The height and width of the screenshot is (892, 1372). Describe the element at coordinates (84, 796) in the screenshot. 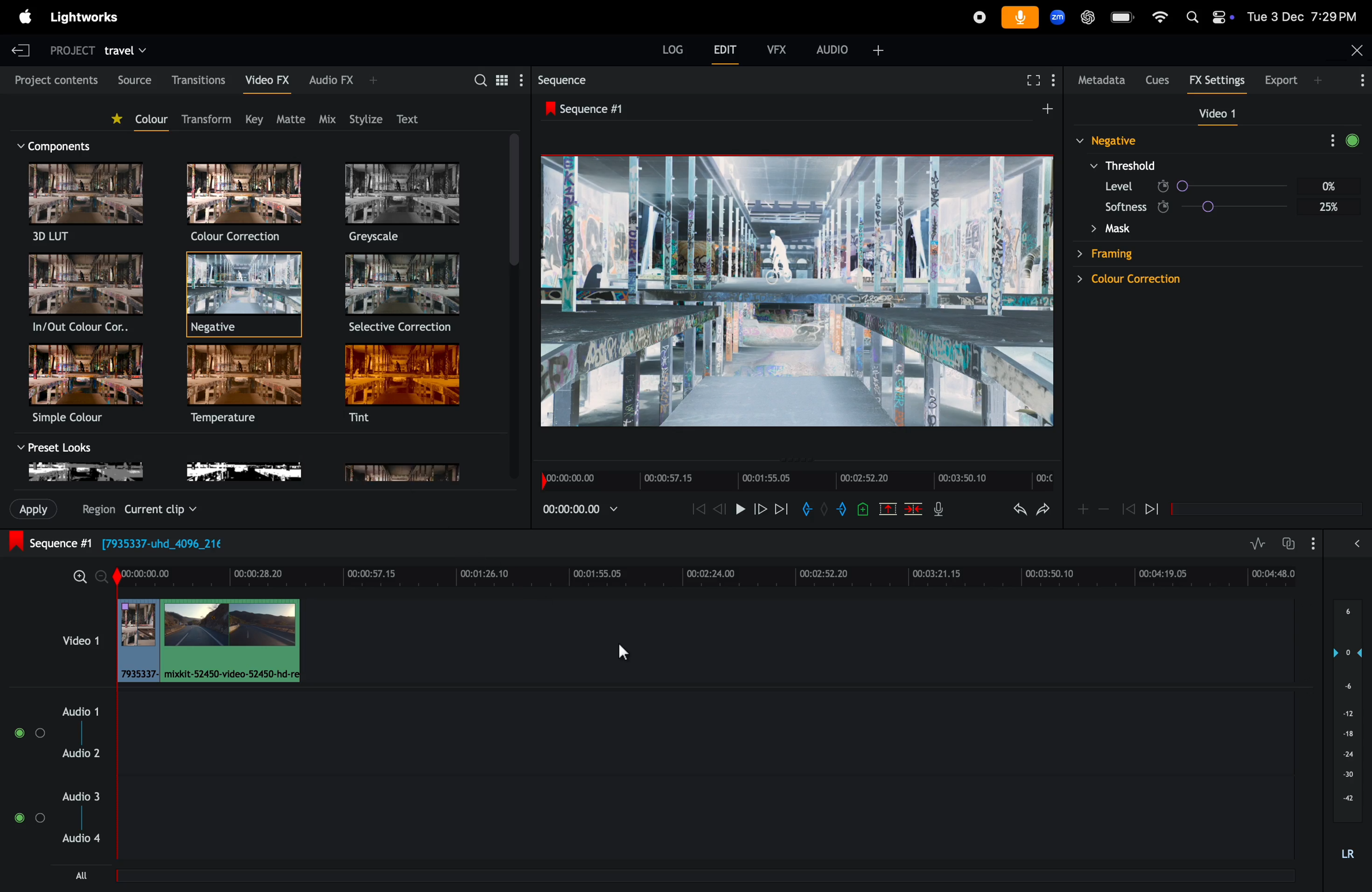

I see `audio 3` at that location.